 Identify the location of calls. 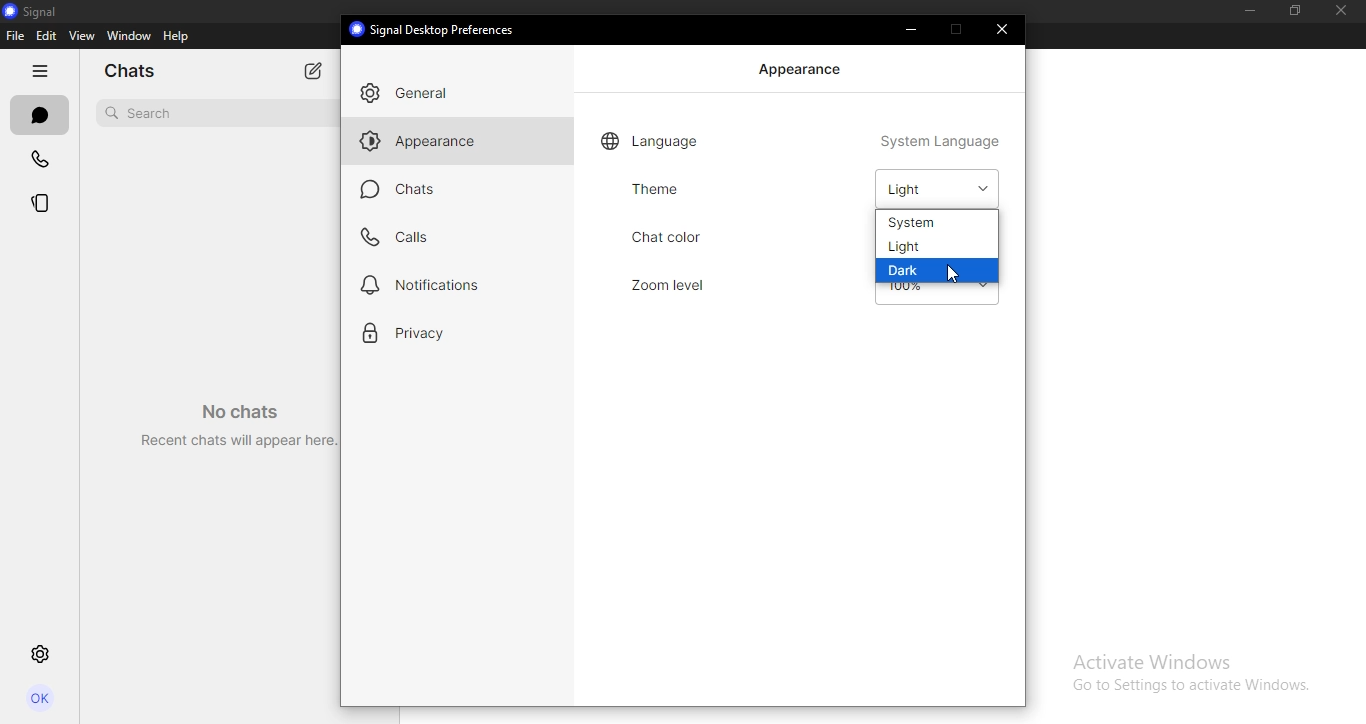
(40, 161).